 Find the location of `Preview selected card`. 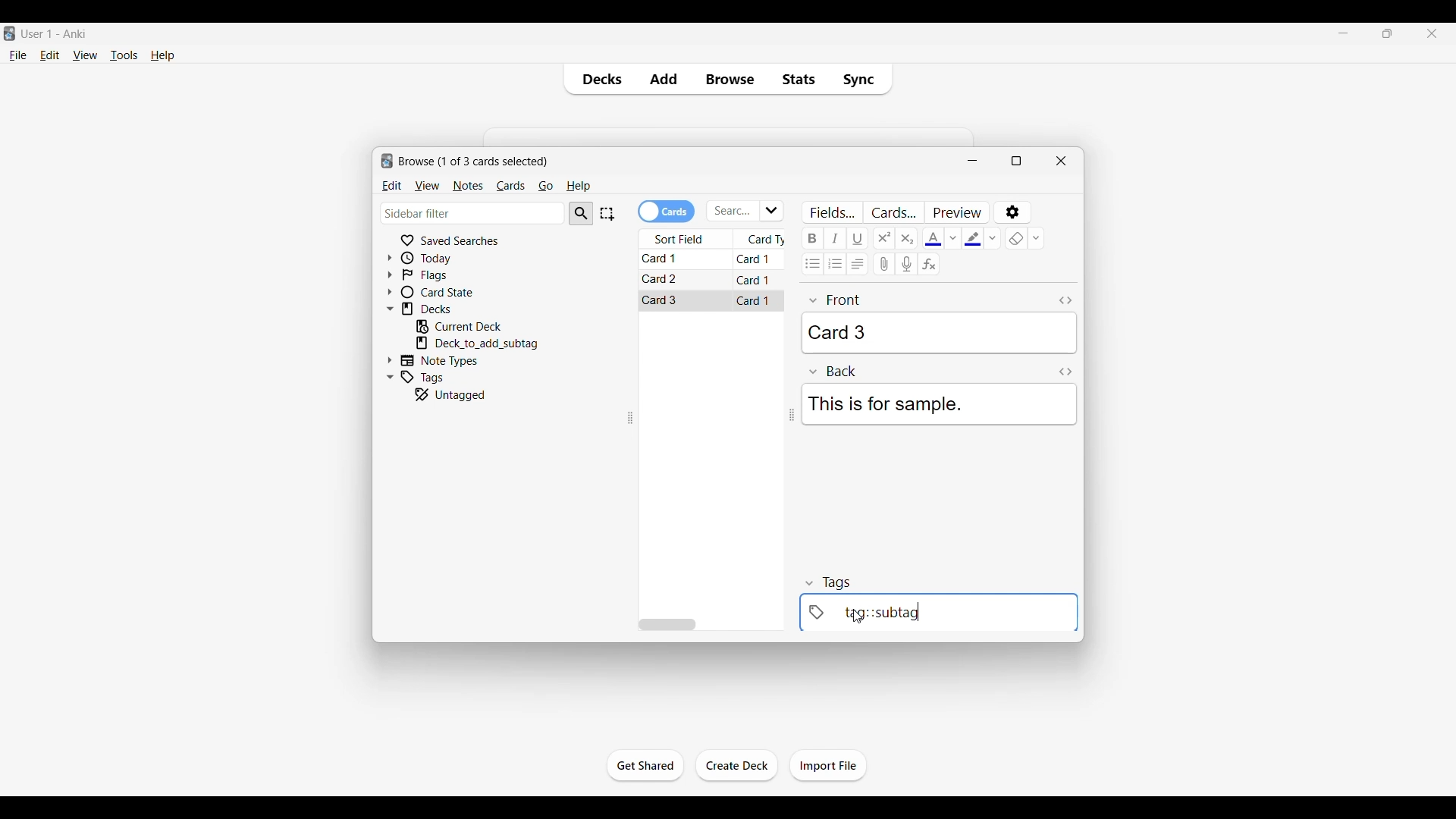

Preview selected card is located at coordinates (956, 212).